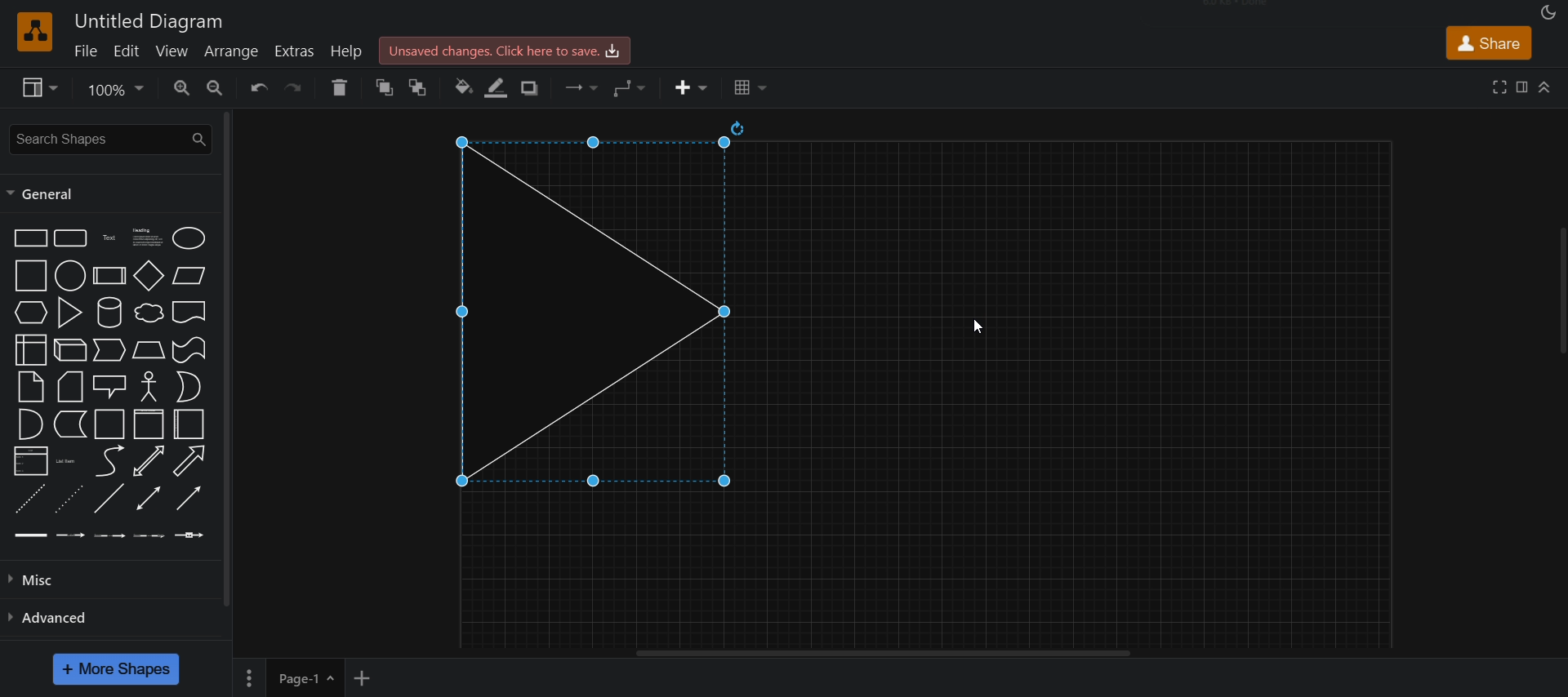 This screenshot has height=697, width=1568. Describe the element at coordinates (187, 498) in the screenshot. I see `directional connector` at that location.